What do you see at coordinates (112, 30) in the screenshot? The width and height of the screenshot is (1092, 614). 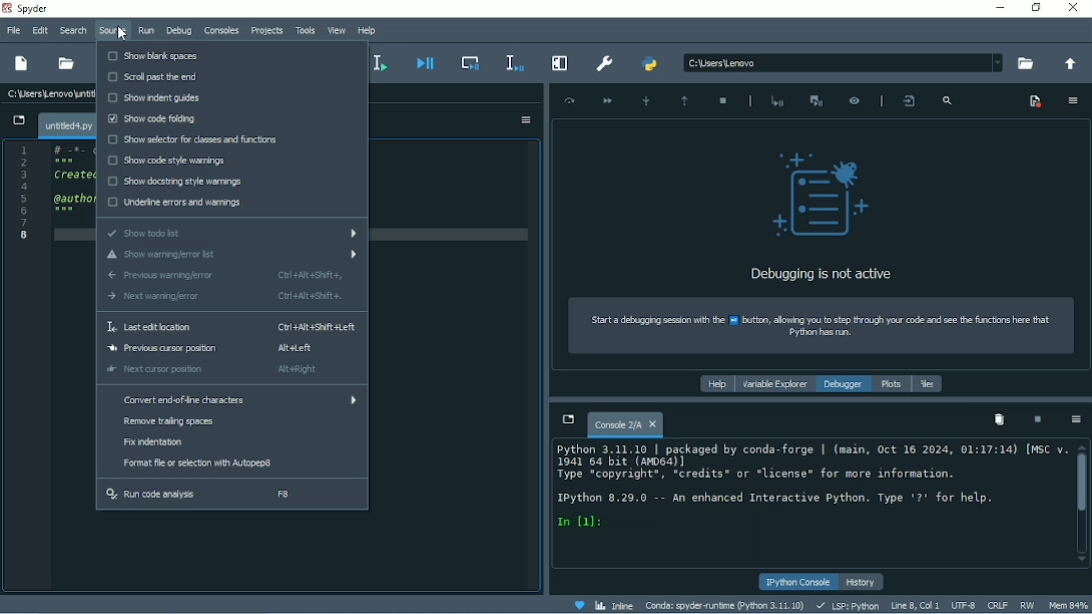 I see `Source` at bounding box center [112, 30].